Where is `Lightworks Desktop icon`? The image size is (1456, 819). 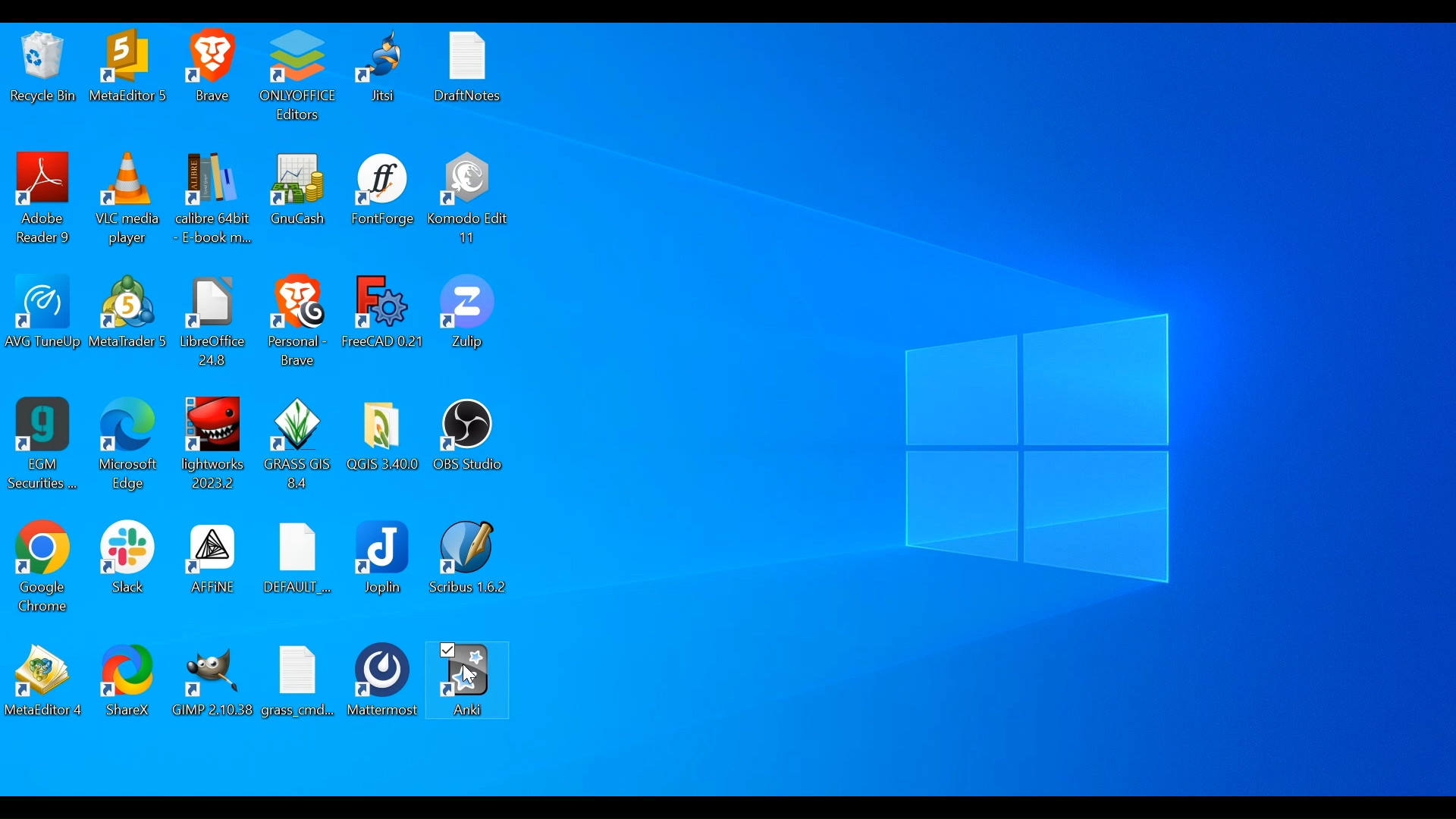 Lightworks Desktop icon is located at coordinates (213, 443).